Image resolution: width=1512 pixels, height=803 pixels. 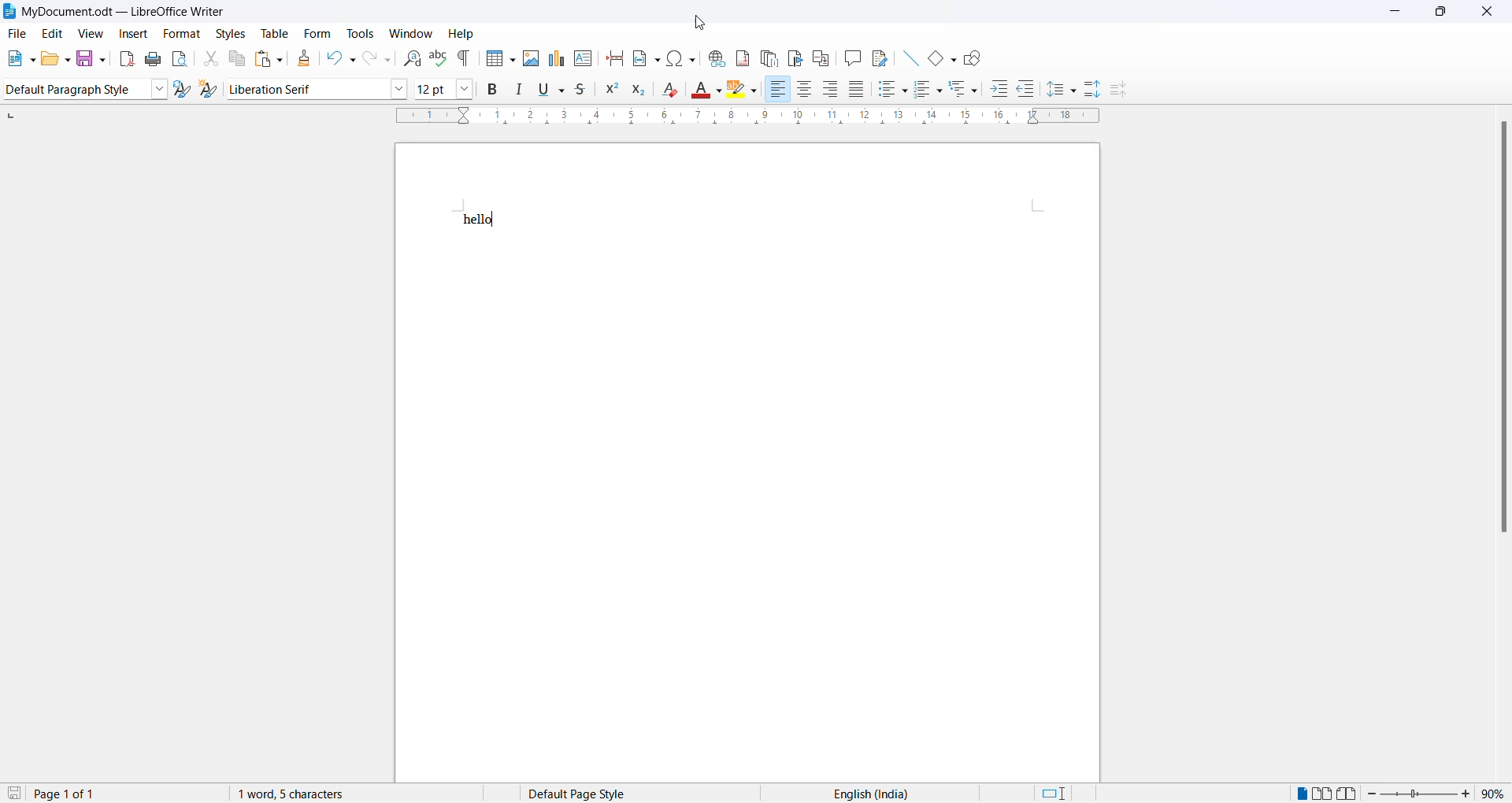 What do you see at coordinates (927, 91) in the screenshot?
I see `Toggle order list` at bounding box center [927, 91].